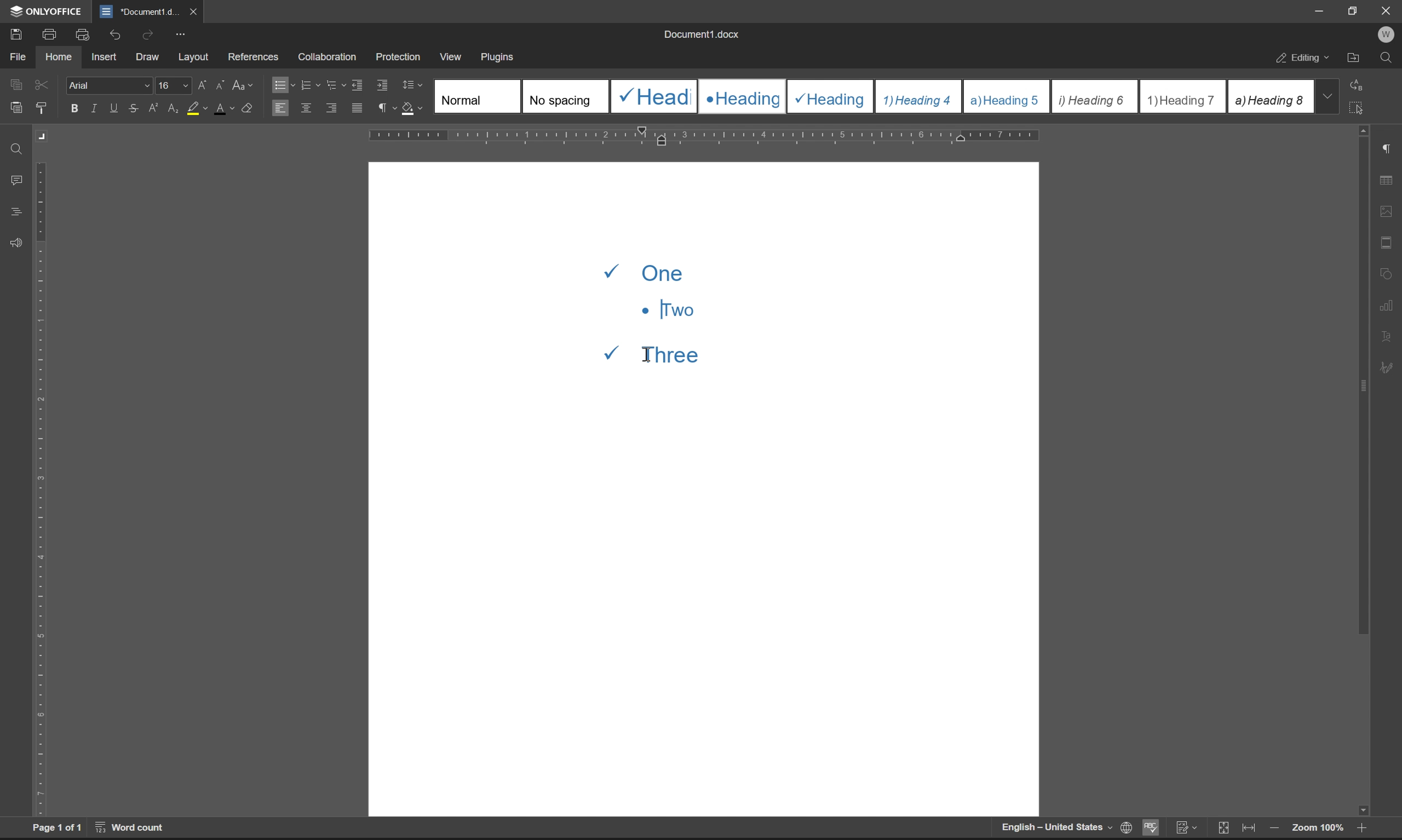  I want to click on English-United States, so click(1055, 828).